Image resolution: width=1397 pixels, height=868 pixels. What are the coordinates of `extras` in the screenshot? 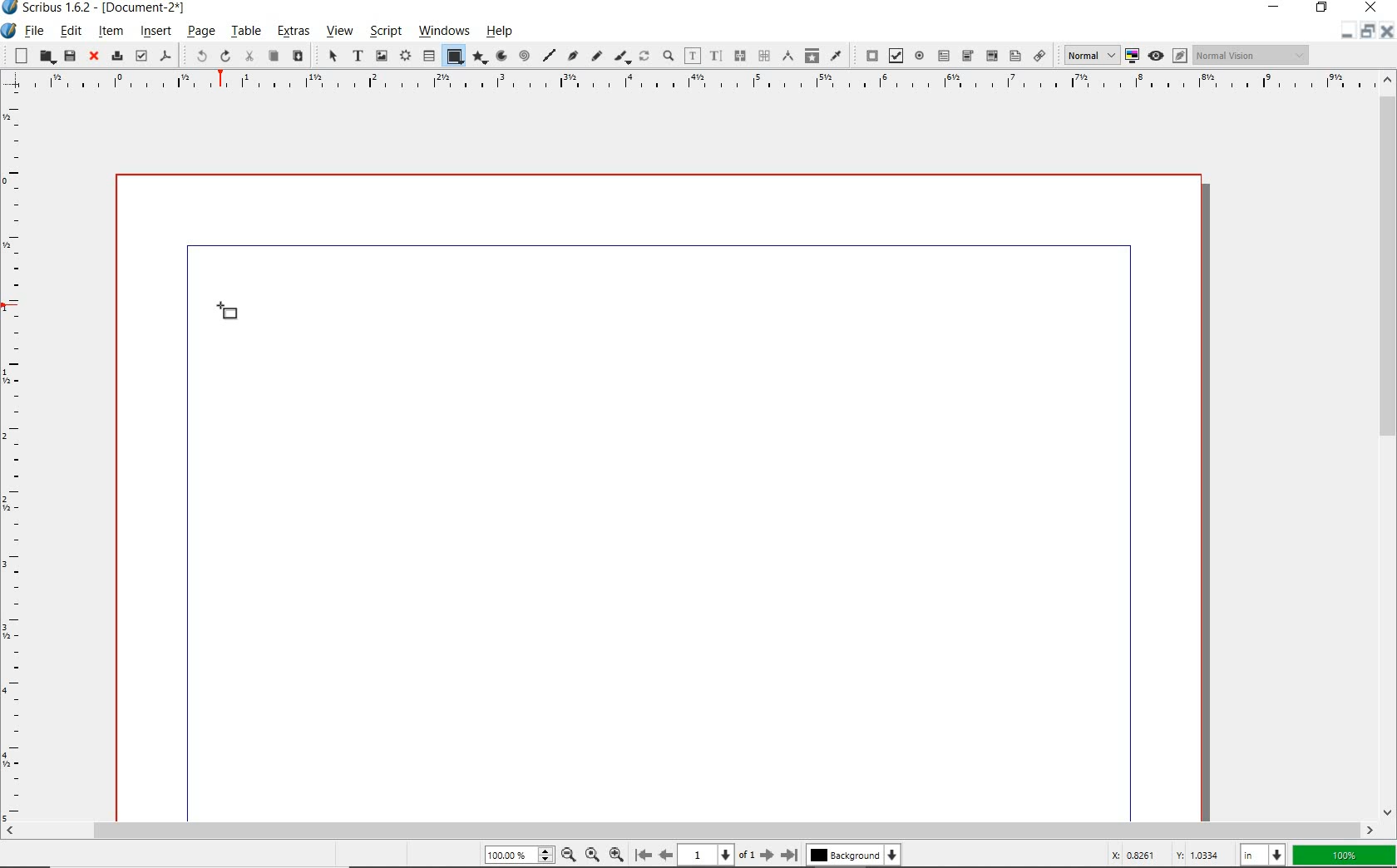 It's located at (294, 32).